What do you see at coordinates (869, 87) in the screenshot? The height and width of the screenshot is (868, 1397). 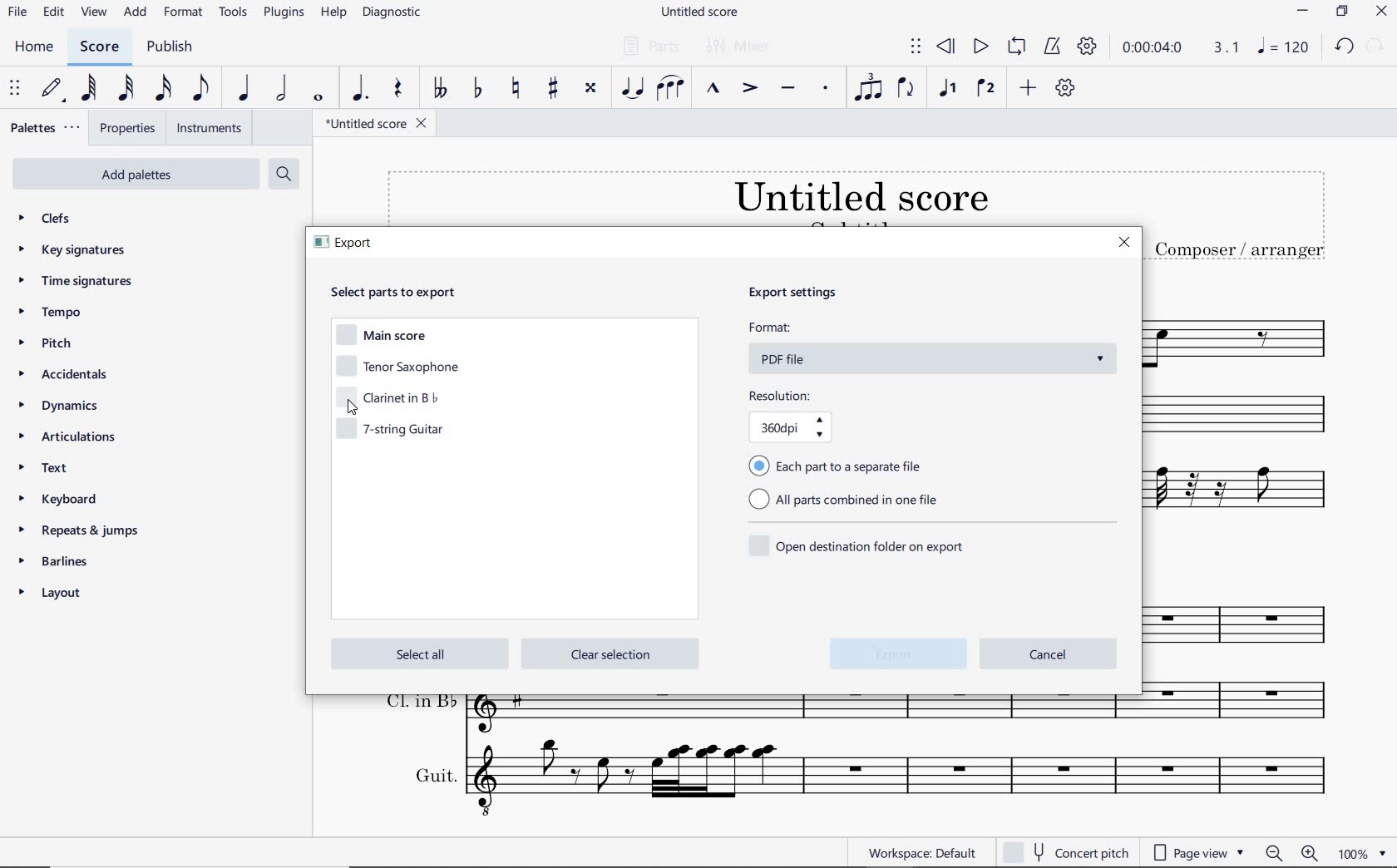 I see `TUPLET` at bounding box center [869, 87].